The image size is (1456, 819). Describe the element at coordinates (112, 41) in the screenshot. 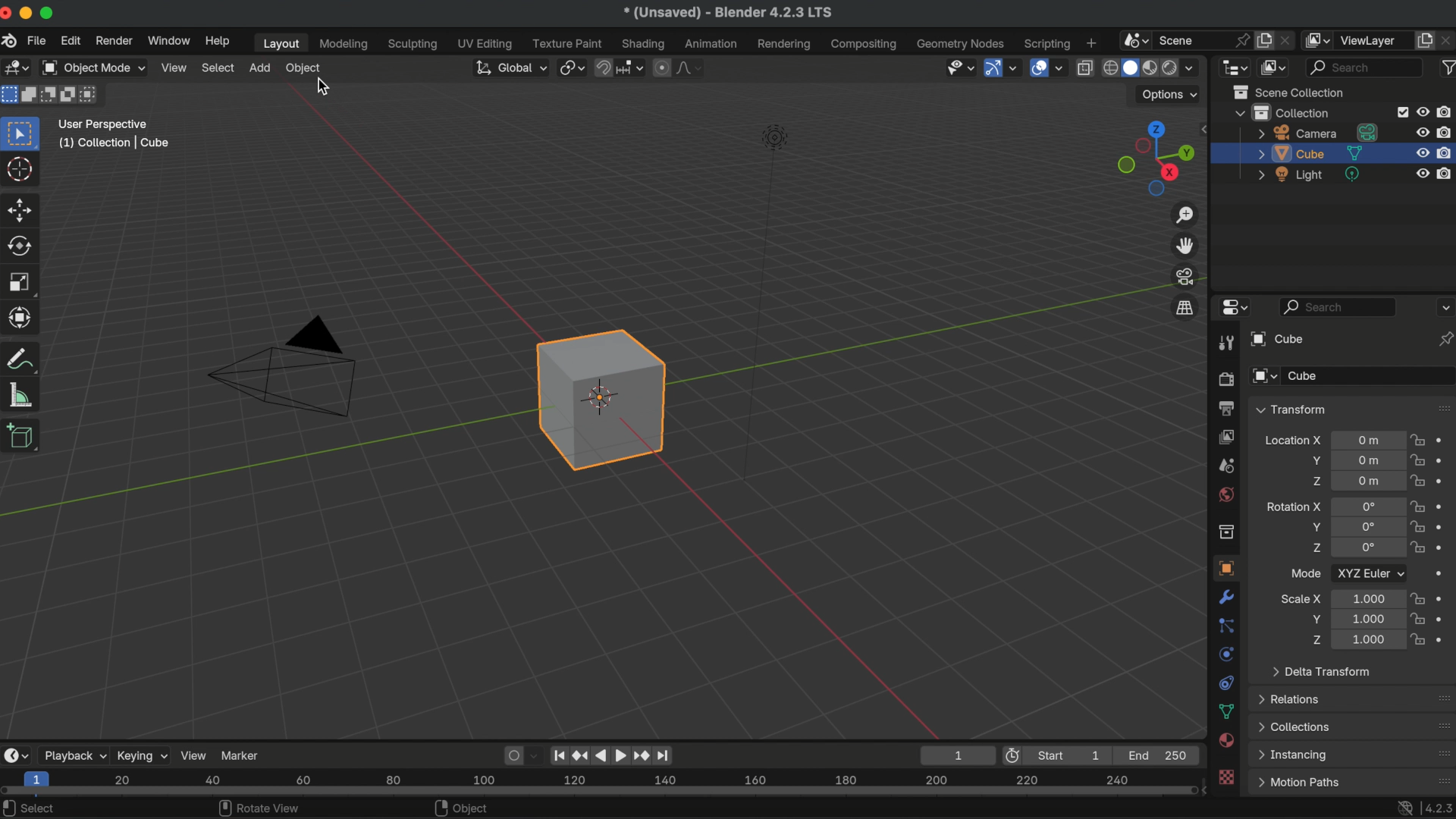

I see `render` at that location.